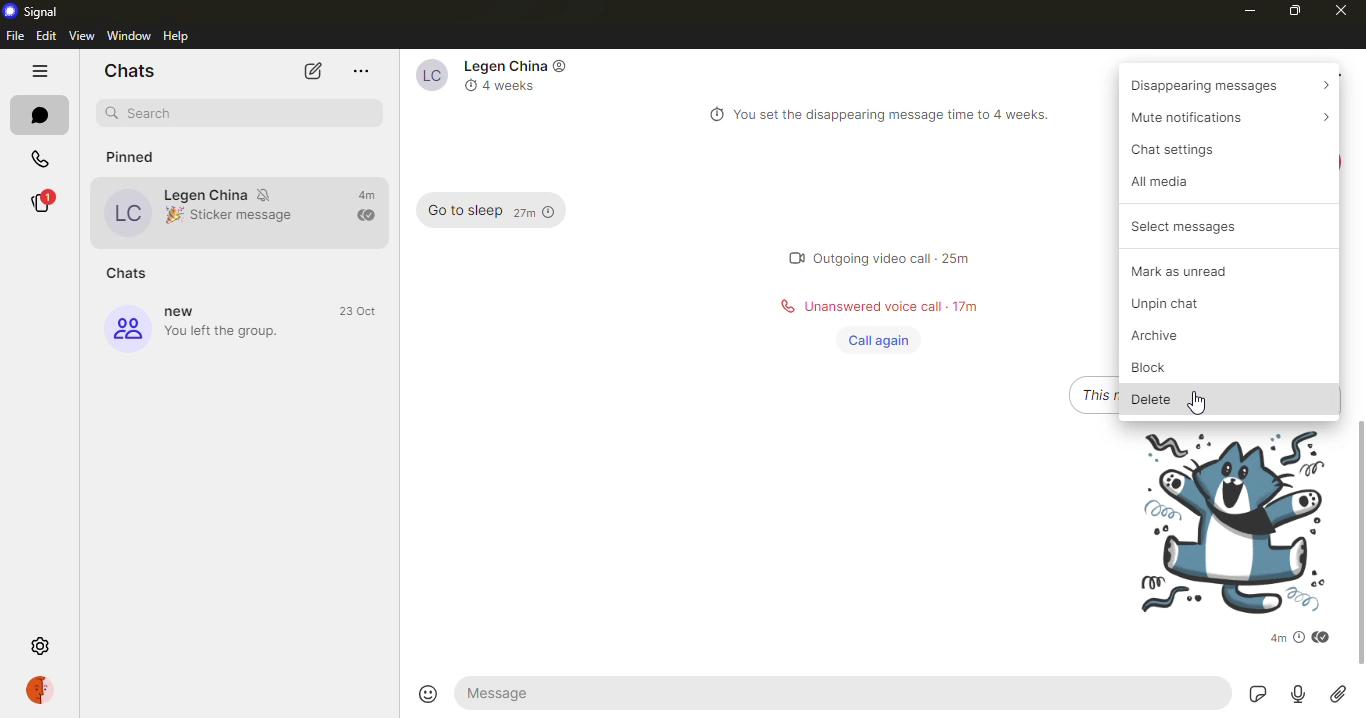 This screenshot has height=718, width=1366. I want to click on Call logo, so click(783, 306).